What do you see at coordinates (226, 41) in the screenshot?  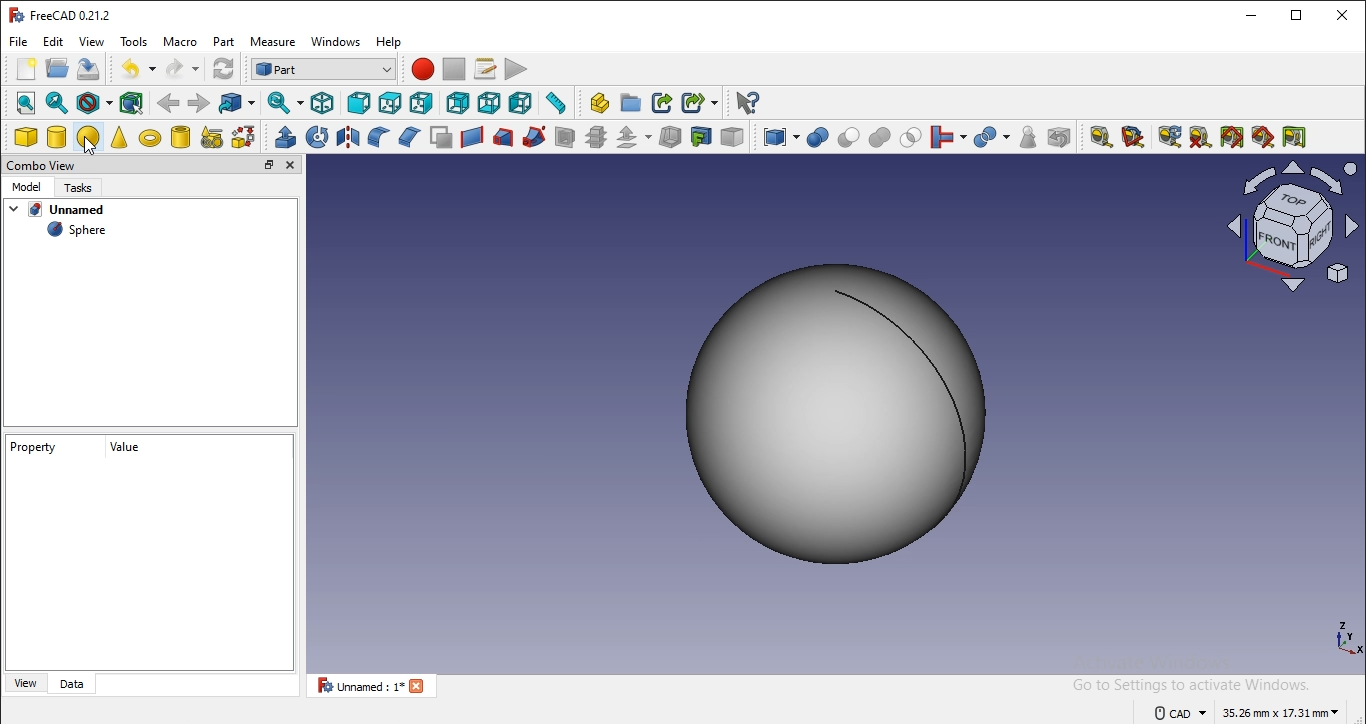 I see `part` at bounding box center [226, 41].